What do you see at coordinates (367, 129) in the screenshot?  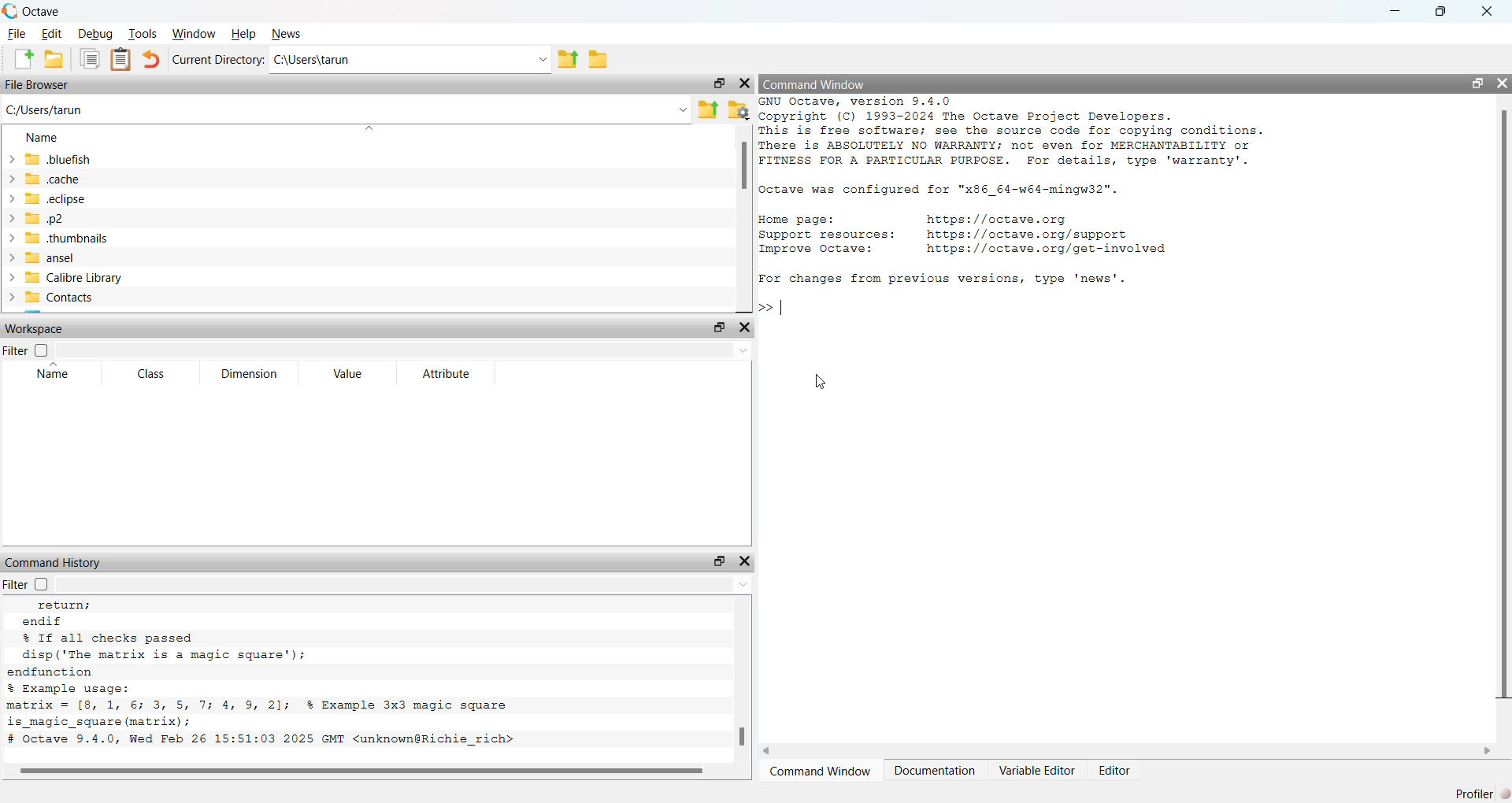 I see `Dropdown` at bounding box center [367, 129].